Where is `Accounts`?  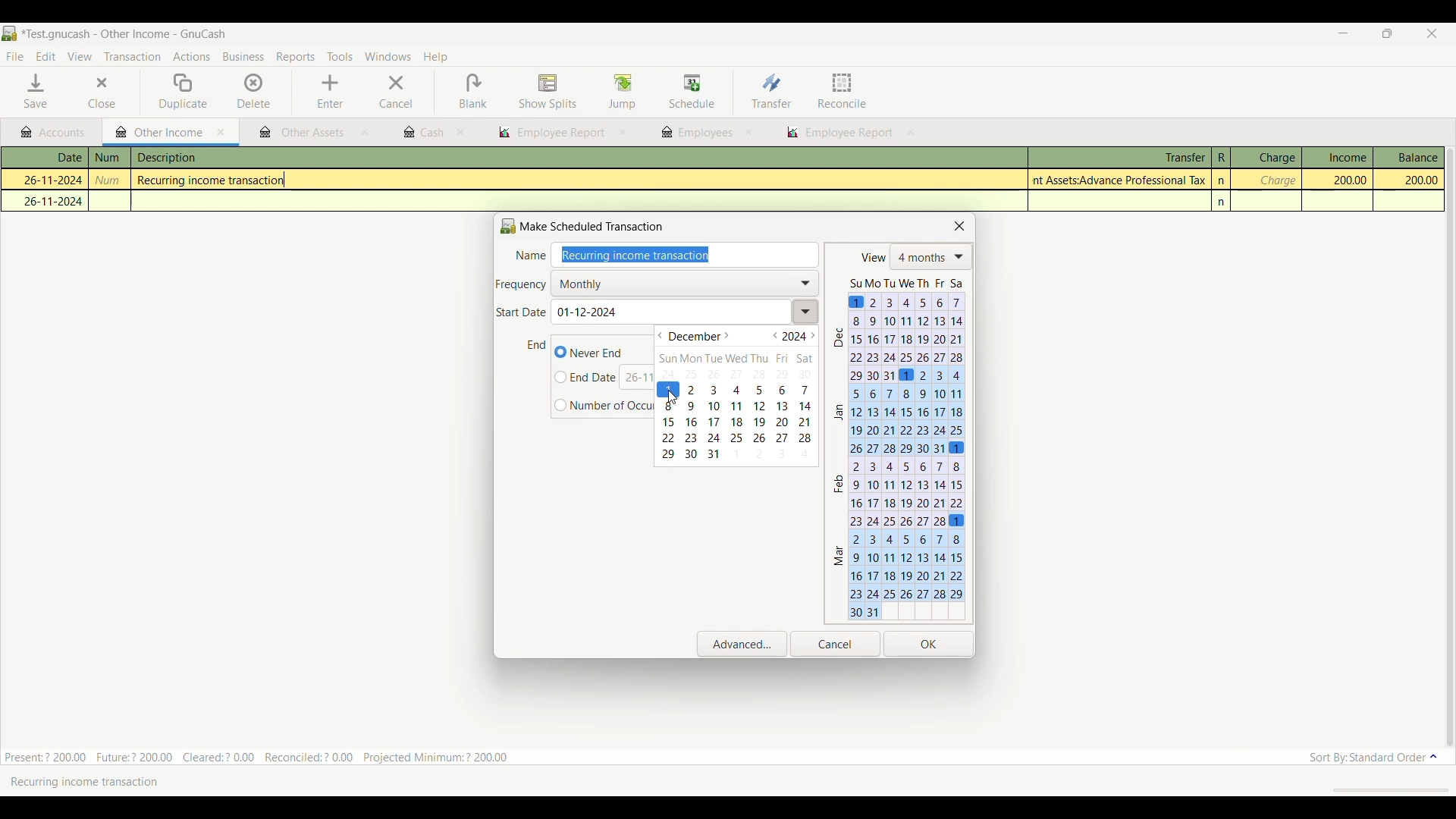
Accounts is located at coordinates (56, 133).